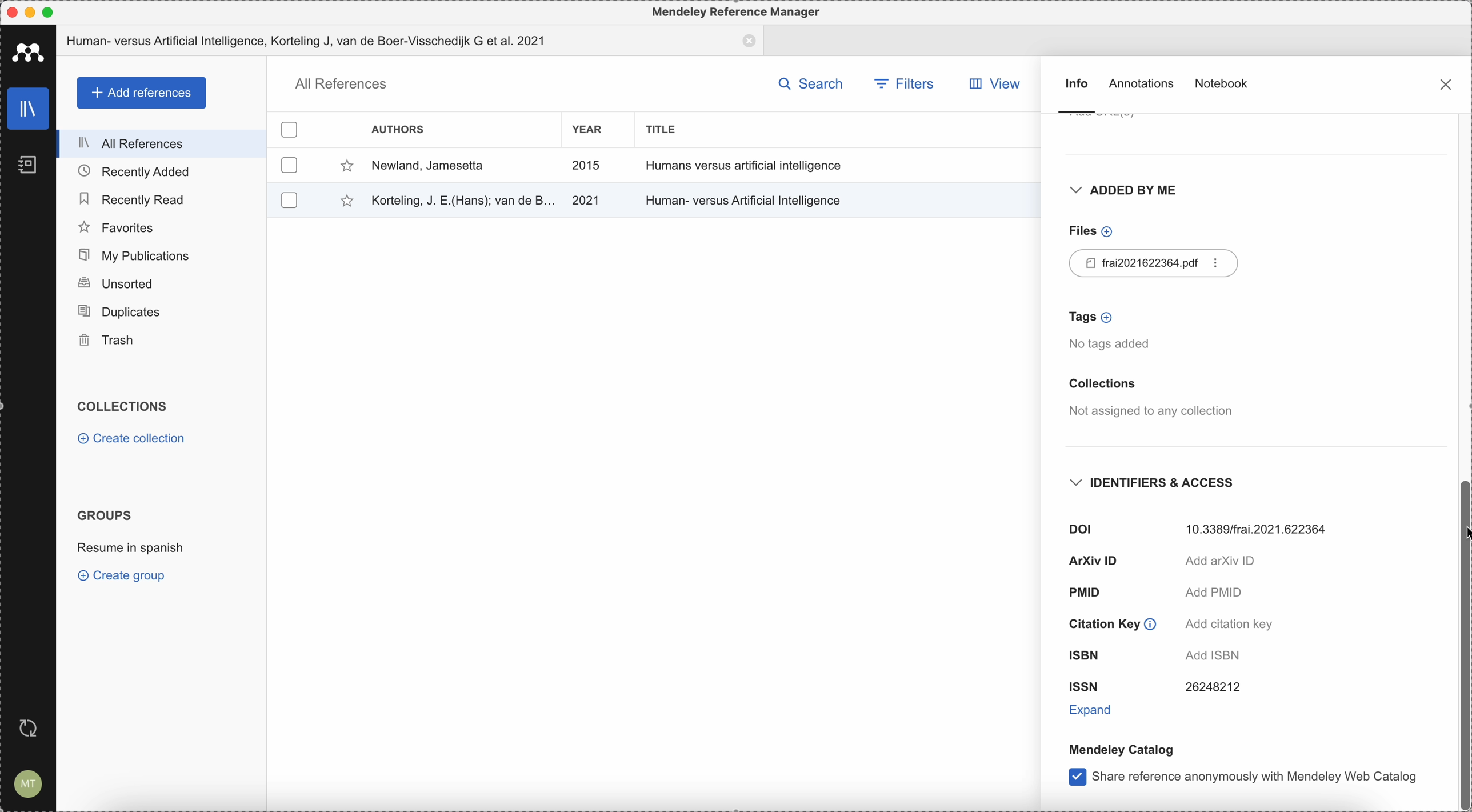 This screenshot has width=1472, height=812. Describe the element at coordinates (25, 161) in the screenshot. I see `notebooks` at that location.